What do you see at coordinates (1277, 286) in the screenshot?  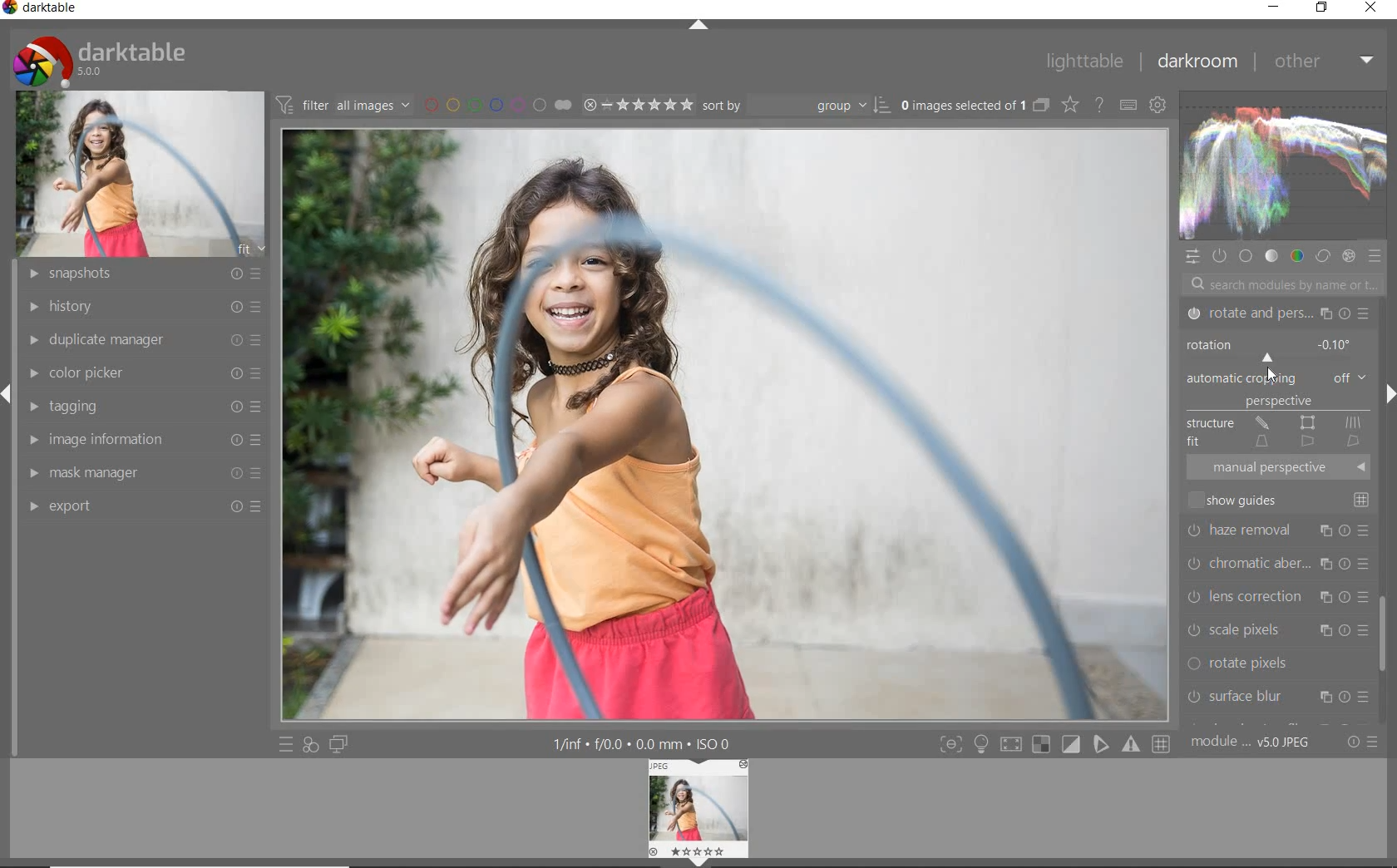 I see `search modules` at bounding box center [1277, 286].